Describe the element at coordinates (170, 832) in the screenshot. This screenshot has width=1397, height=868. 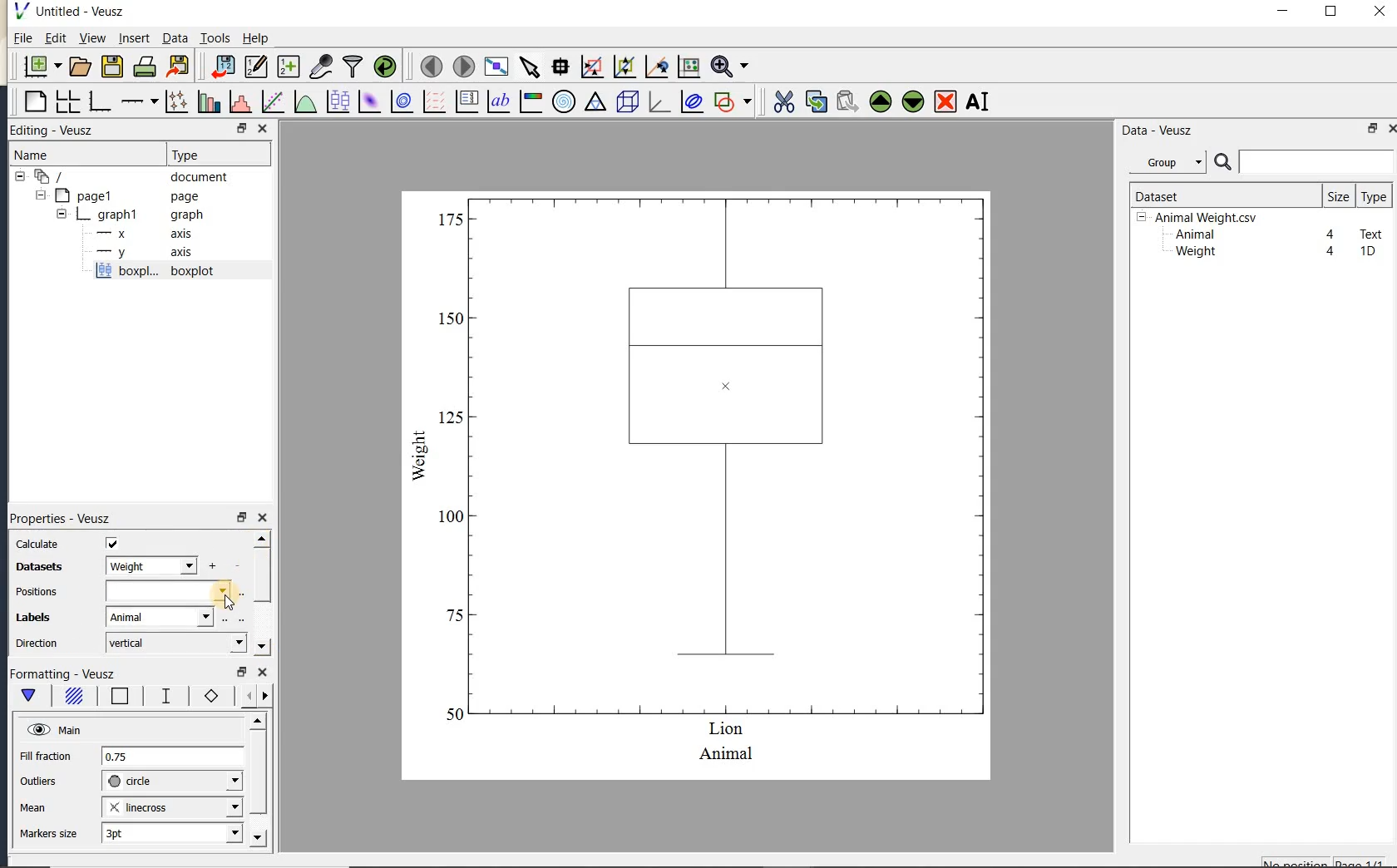
I see `3pt` at that location.